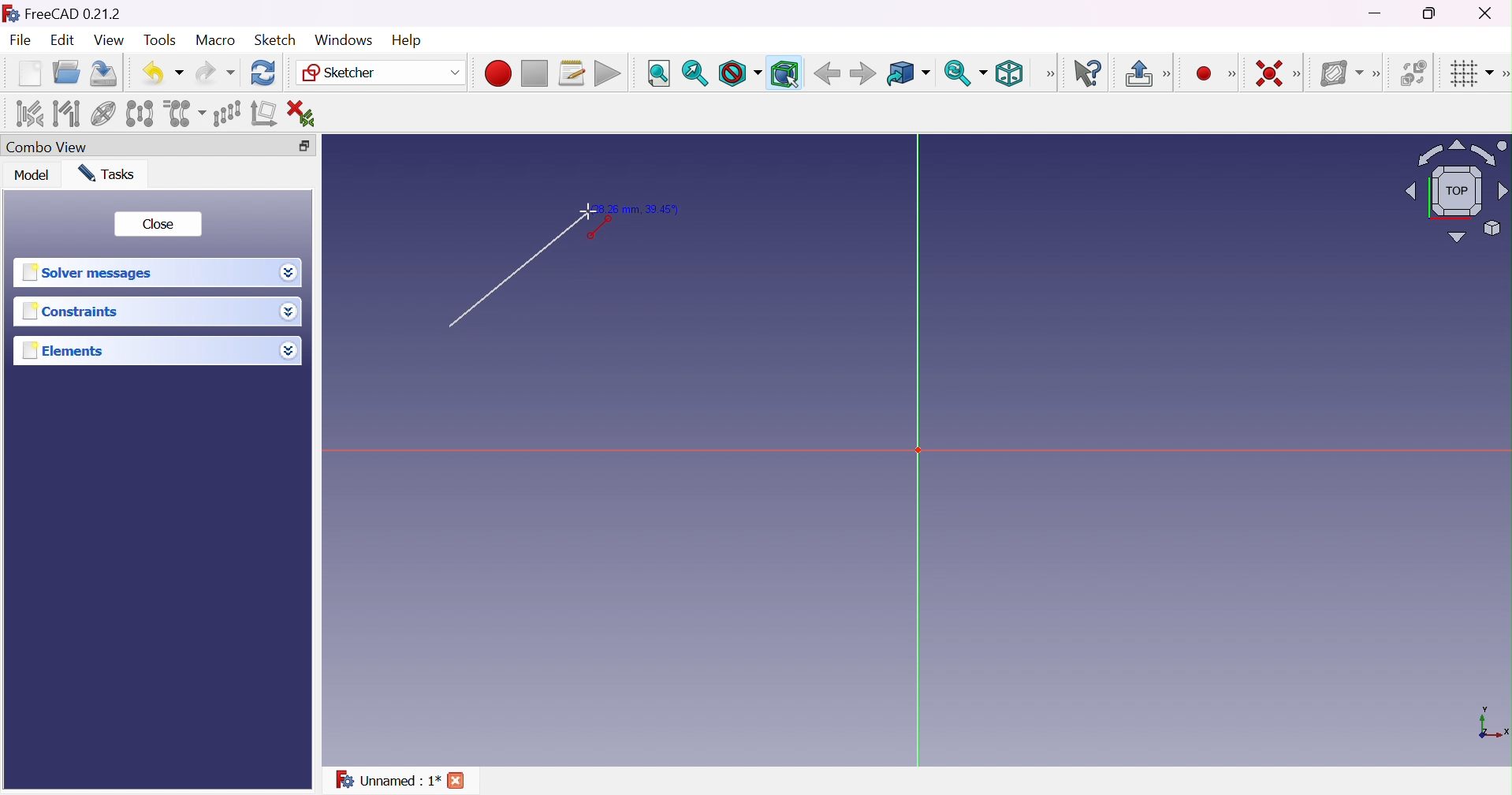  What do you see at coordinates (92, 272) in the screenshot?
I see `Solver messages` at bounding box center [92, 272].